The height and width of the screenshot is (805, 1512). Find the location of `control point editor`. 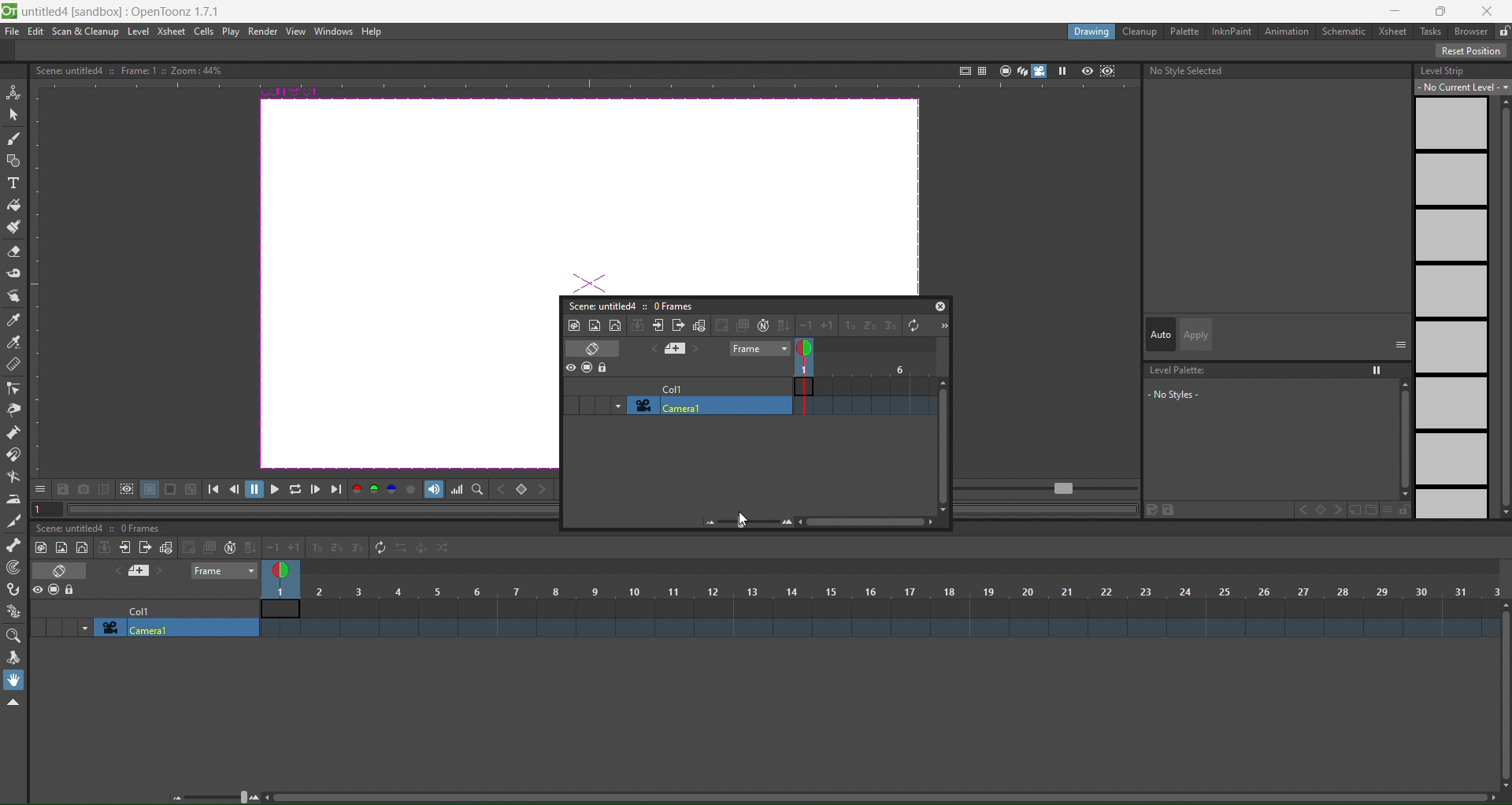

control point editor is located at coordinates (13, 388).